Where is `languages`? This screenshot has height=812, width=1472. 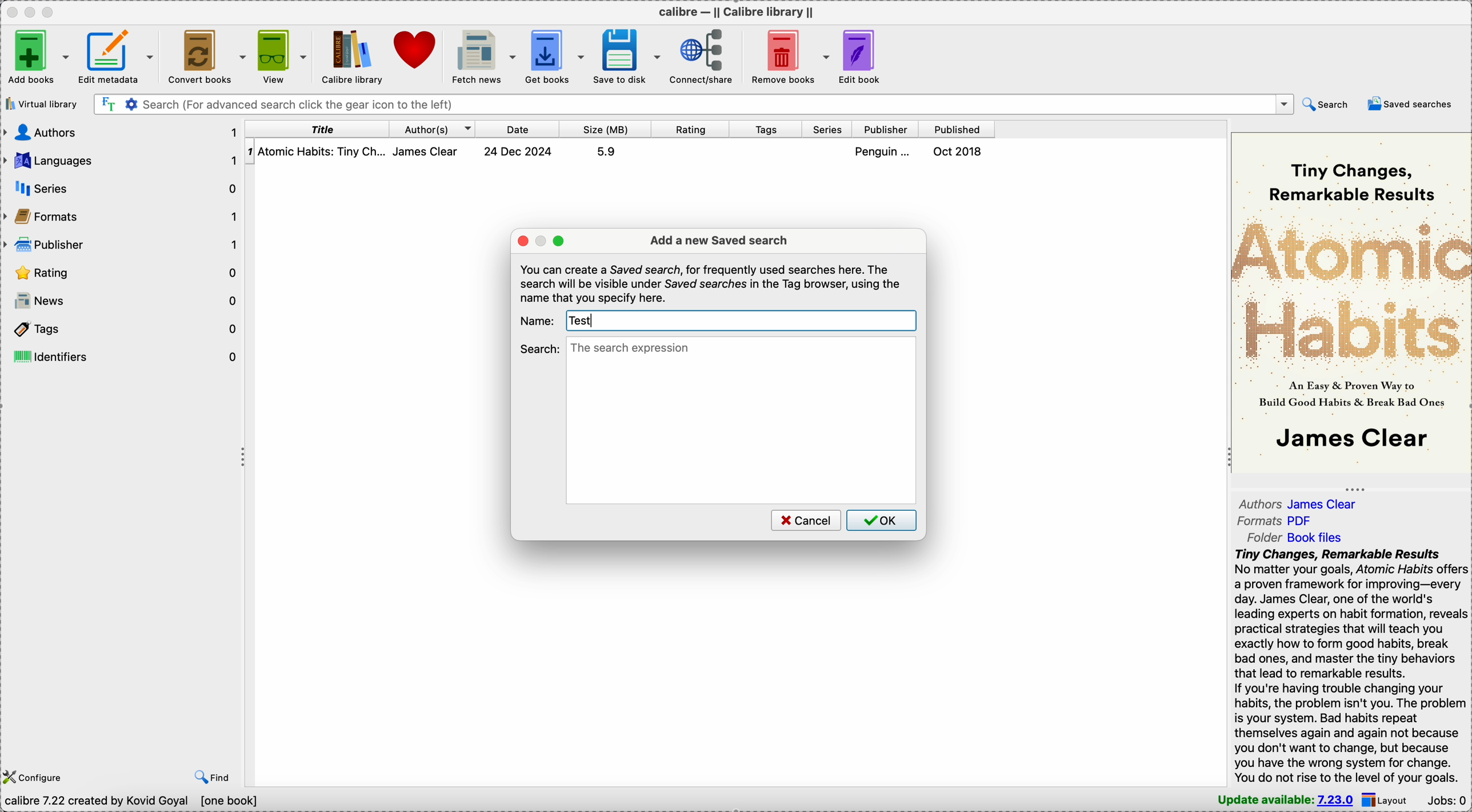 languages is located at coordinates (122, 161).